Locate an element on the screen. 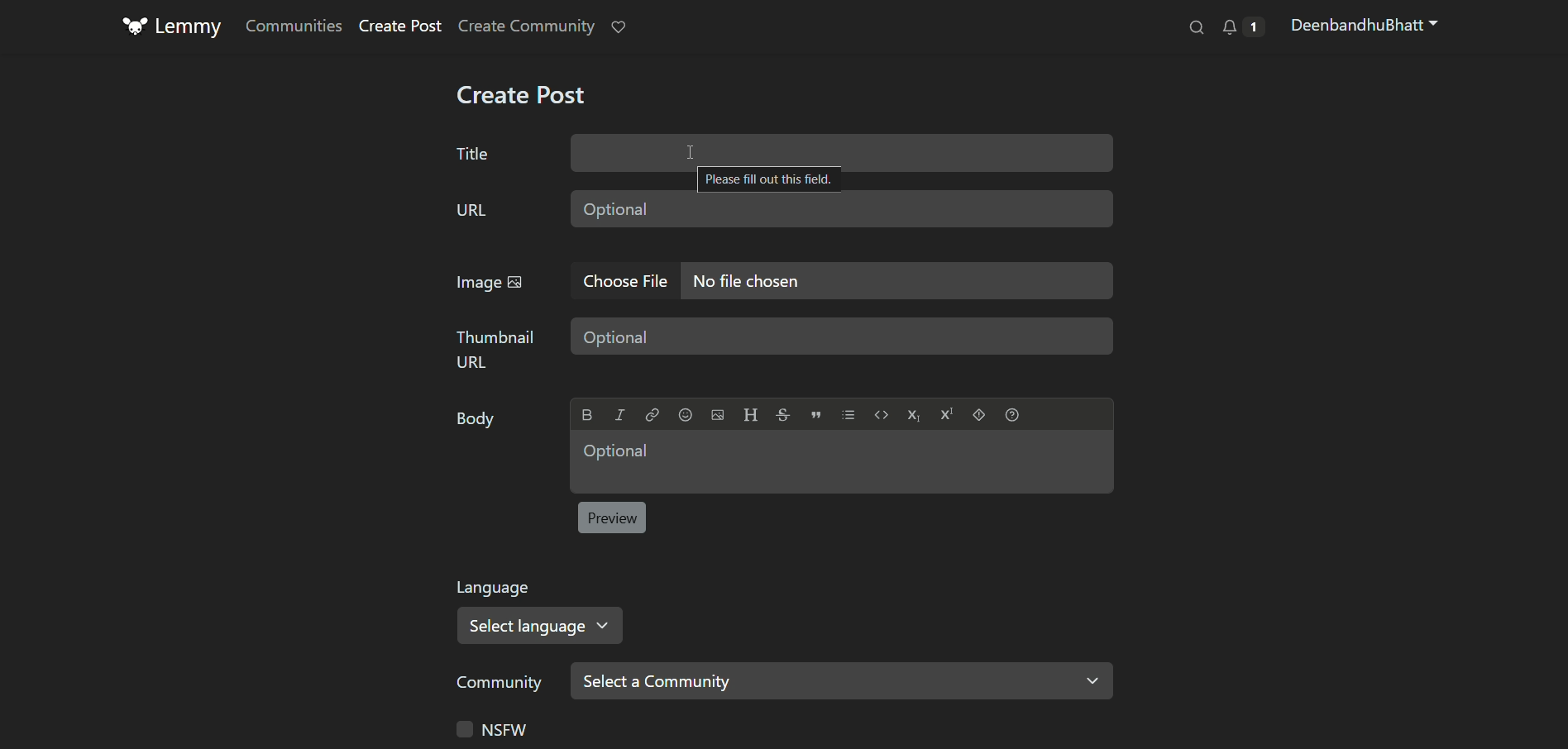 The width and height of the screenshot is (1568, 749). community is located at coordinates (499, 683).